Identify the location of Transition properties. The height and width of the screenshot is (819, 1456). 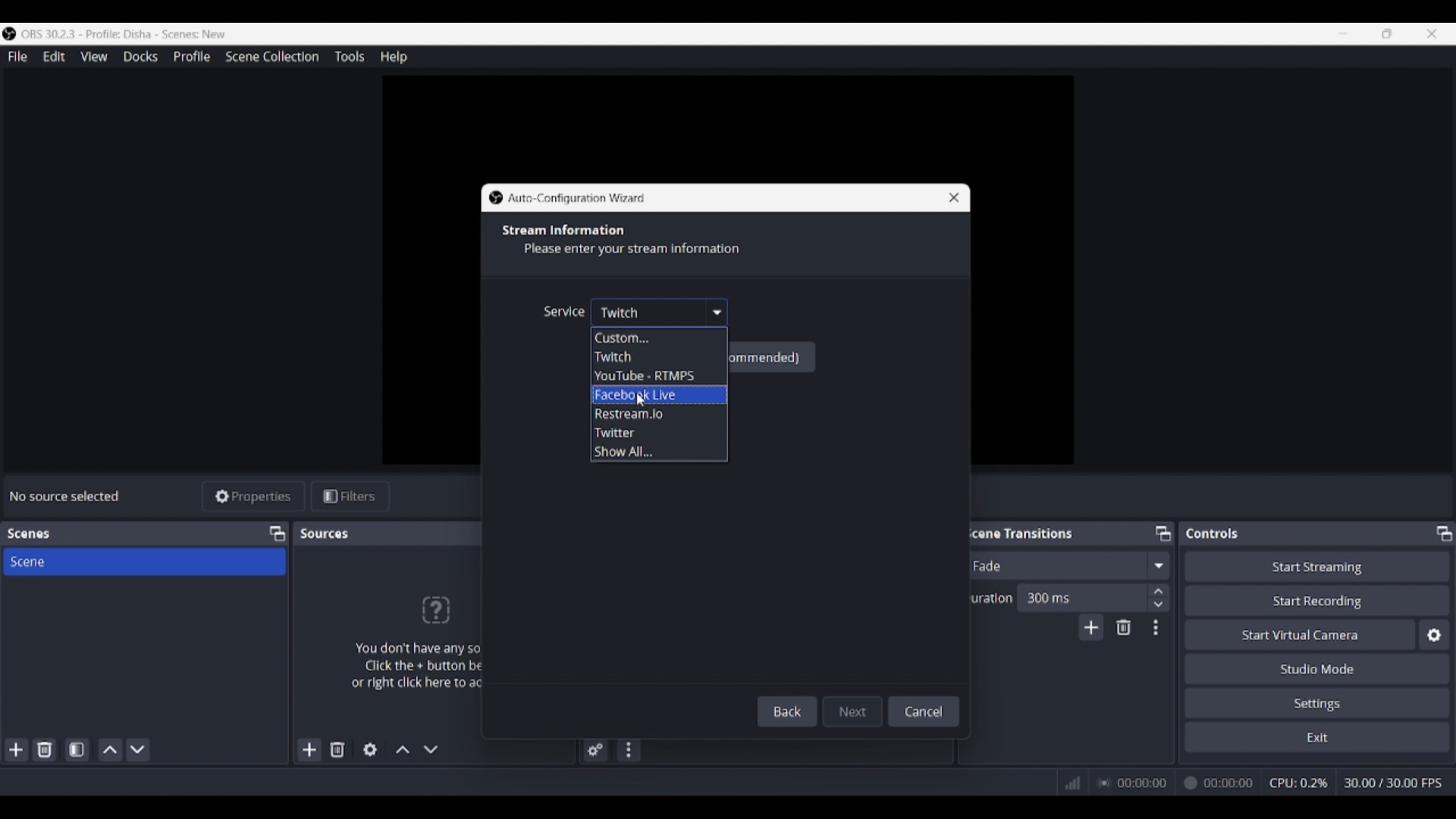
(1156, 628).